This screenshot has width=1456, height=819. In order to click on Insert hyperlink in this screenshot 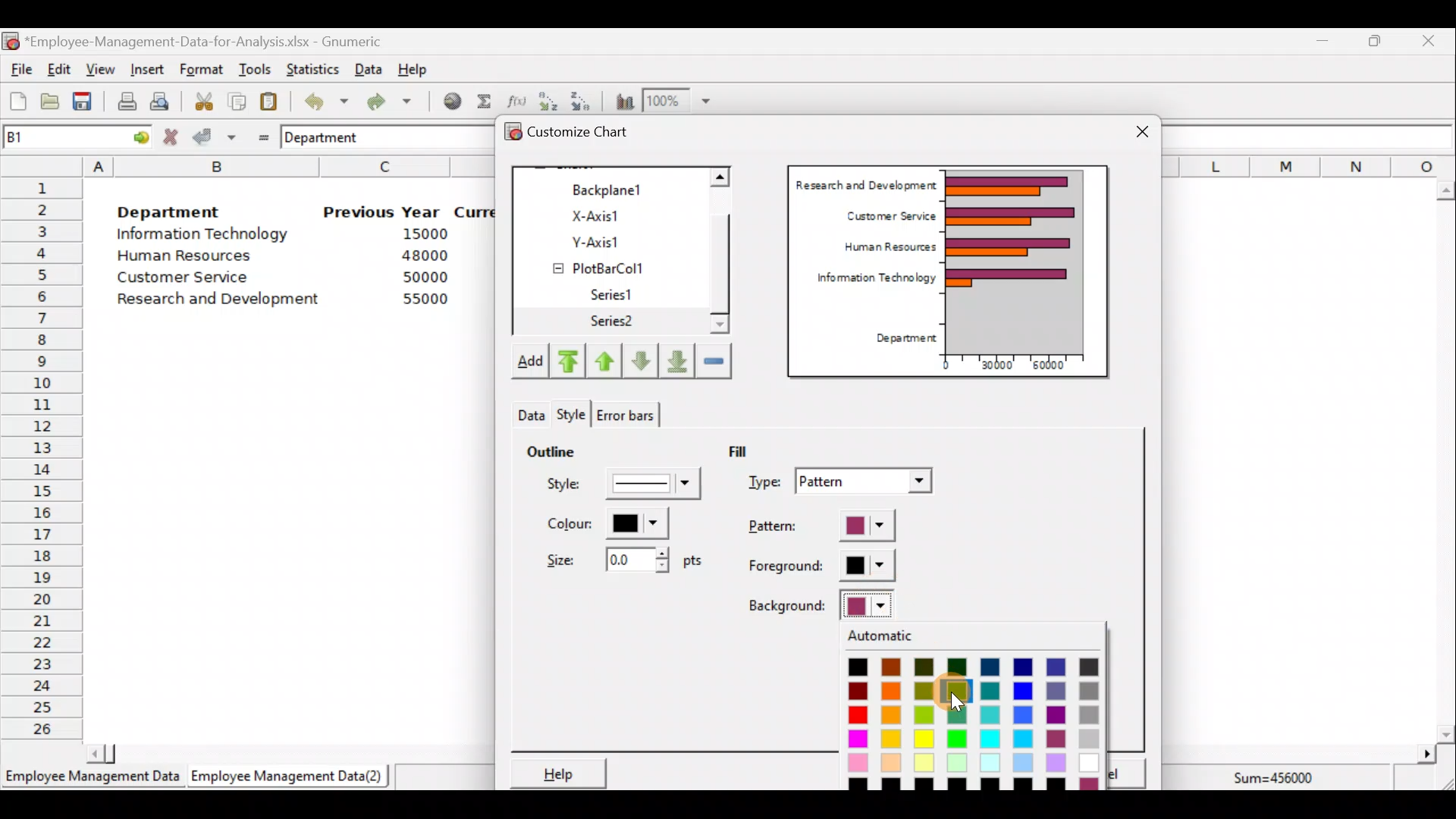, I will do `click(447, 100)`.